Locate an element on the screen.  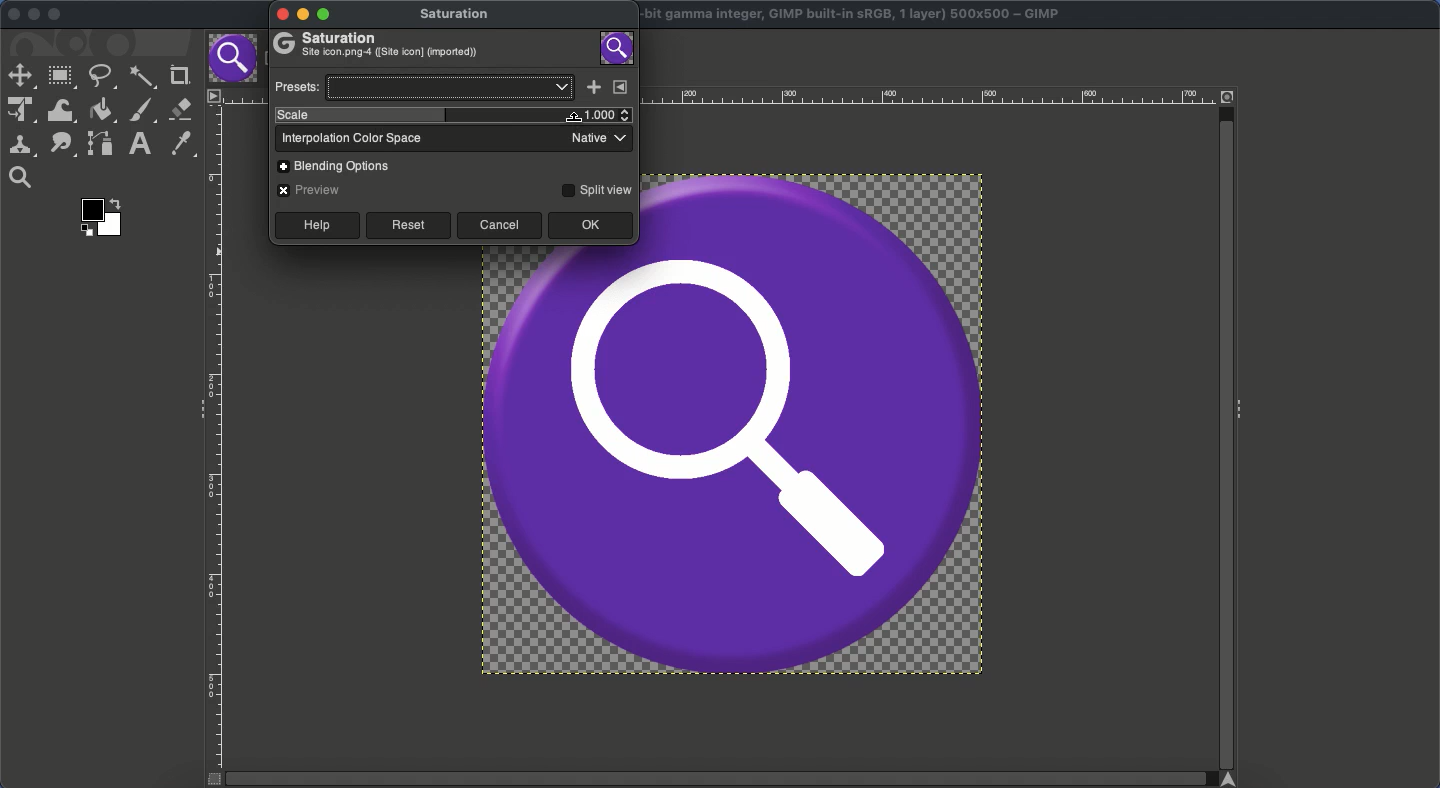
Collapse is located at coordinates (197, 410).